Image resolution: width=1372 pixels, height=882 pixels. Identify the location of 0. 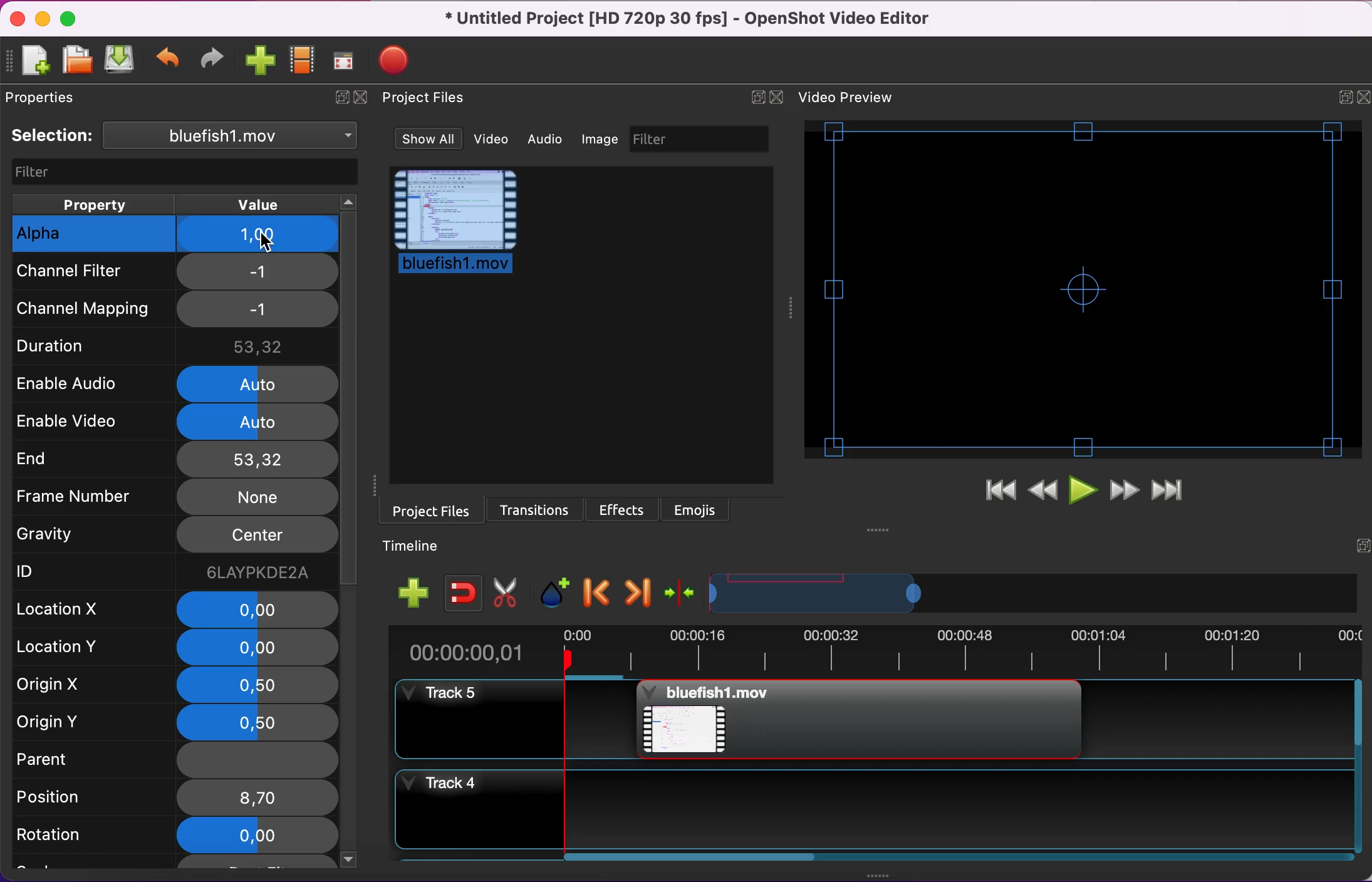
(254, 836).